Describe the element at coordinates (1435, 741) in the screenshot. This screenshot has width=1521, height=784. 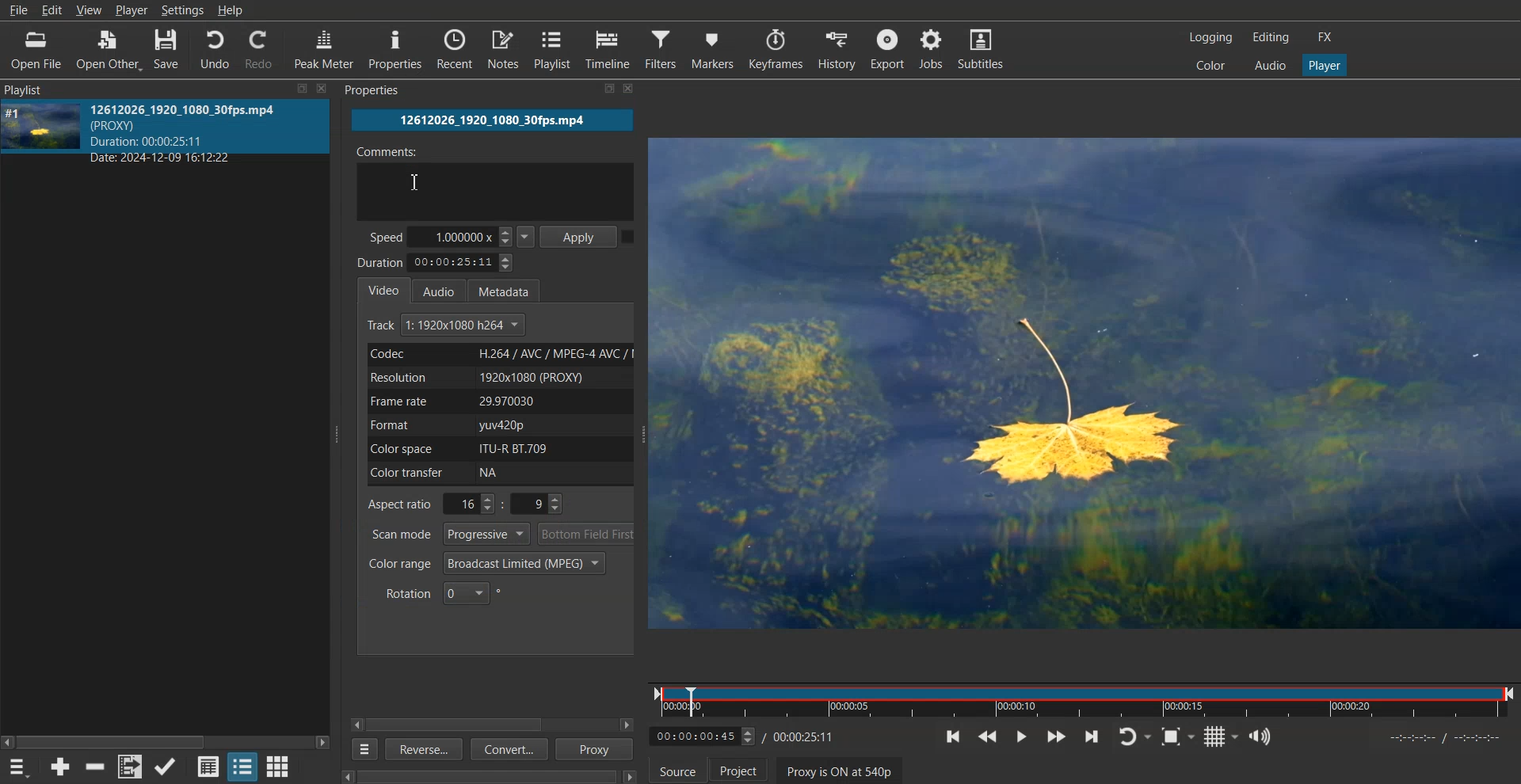
I see `timeline` at that location.